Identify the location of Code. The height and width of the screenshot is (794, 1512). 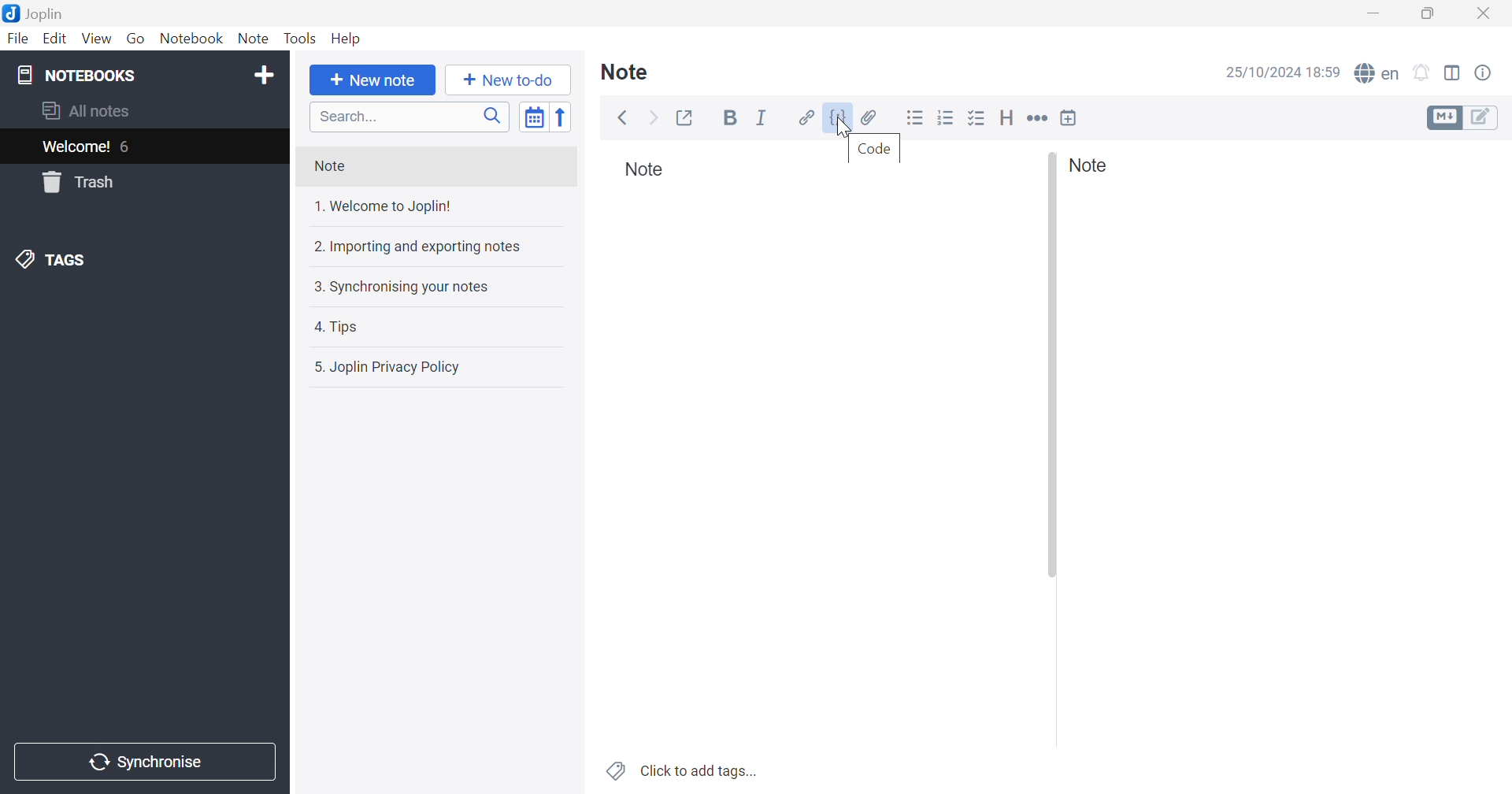
(839, 118).